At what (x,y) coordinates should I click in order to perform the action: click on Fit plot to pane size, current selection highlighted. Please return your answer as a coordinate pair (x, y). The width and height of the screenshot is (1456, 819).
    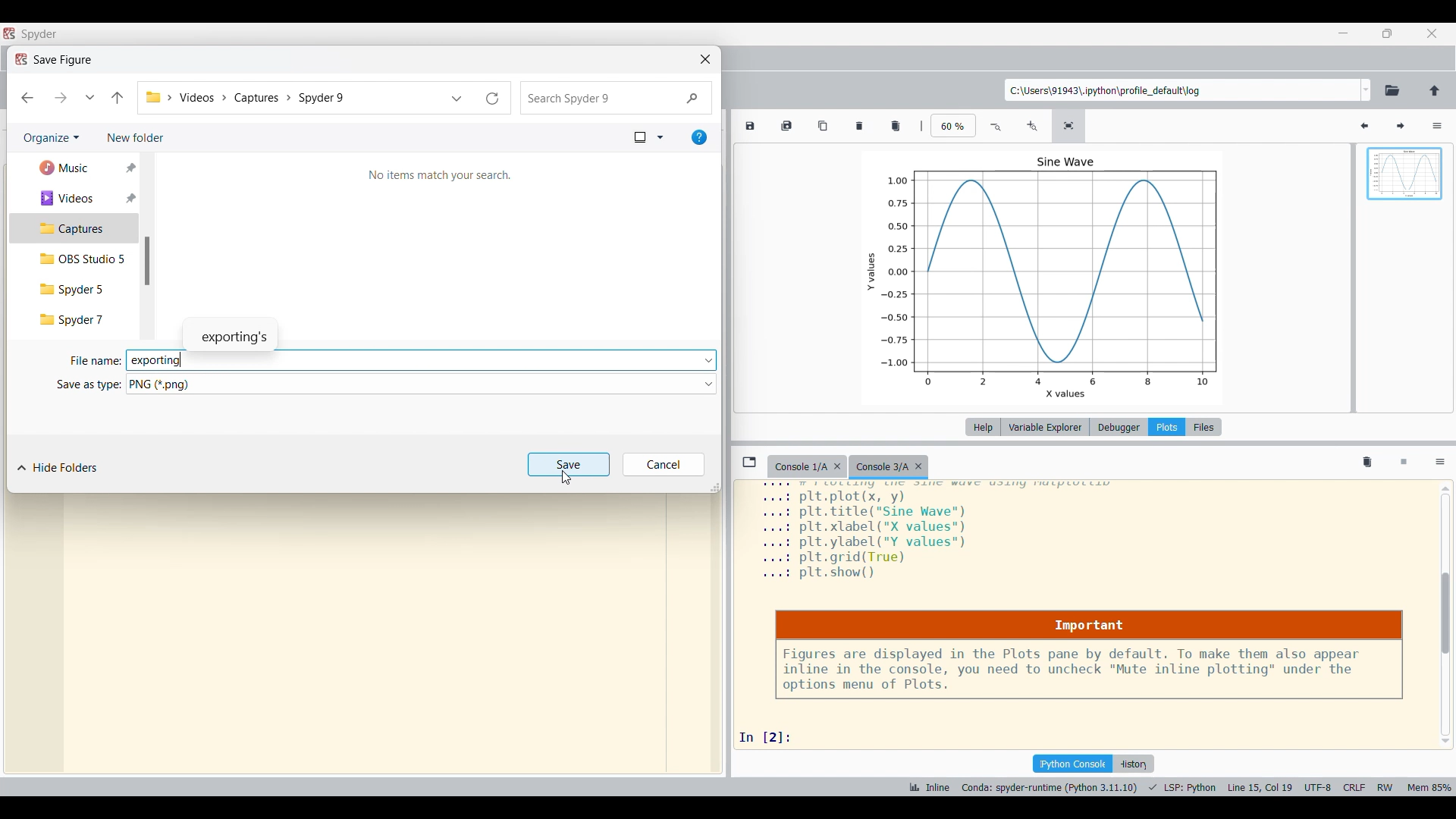
    Looking at the image, I should click on (1068, 126).